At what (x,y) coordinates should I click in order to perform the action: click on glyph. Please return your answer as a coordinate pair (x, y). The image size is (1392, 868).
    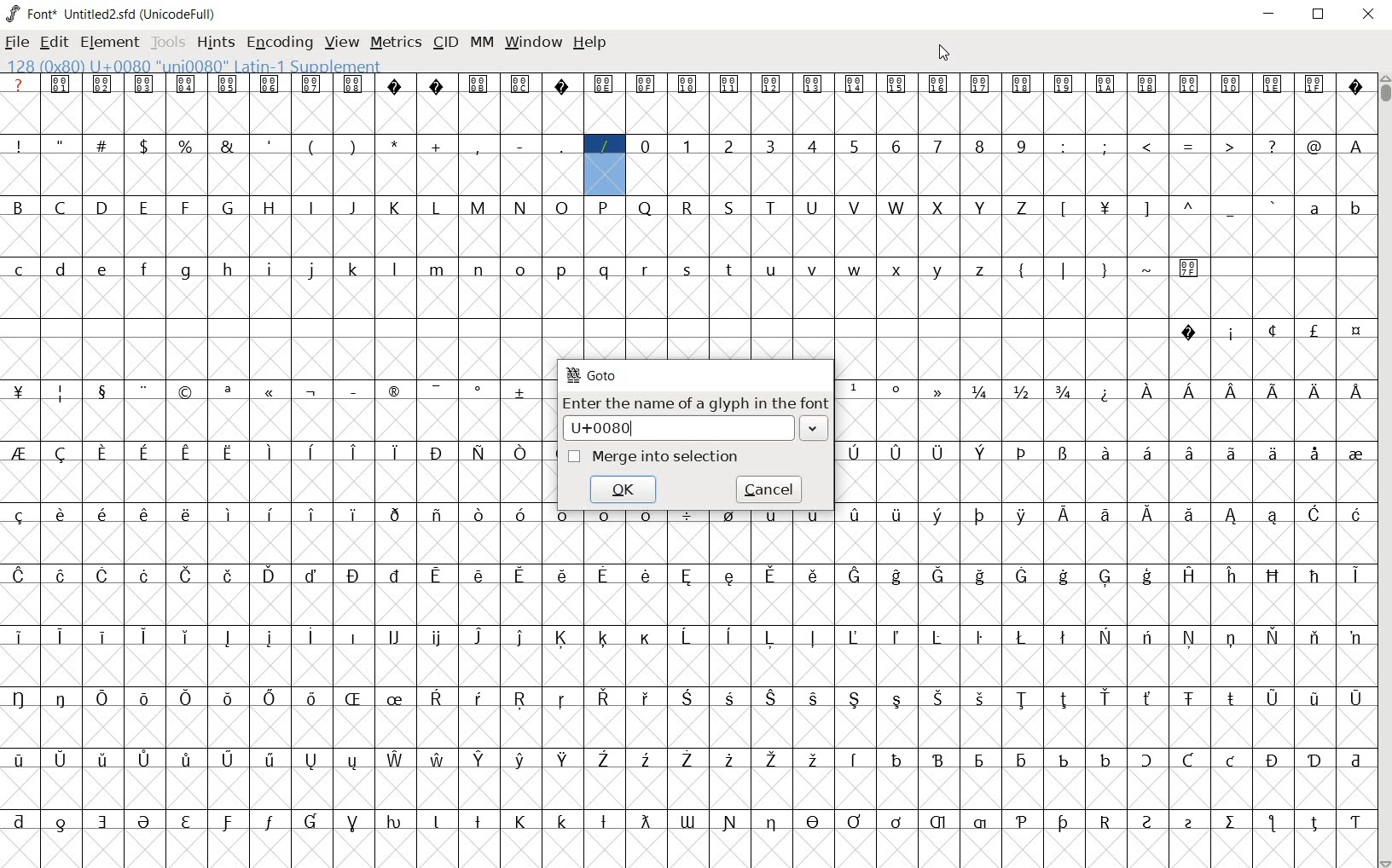
    Looking at the image, I should click on (228, 454).